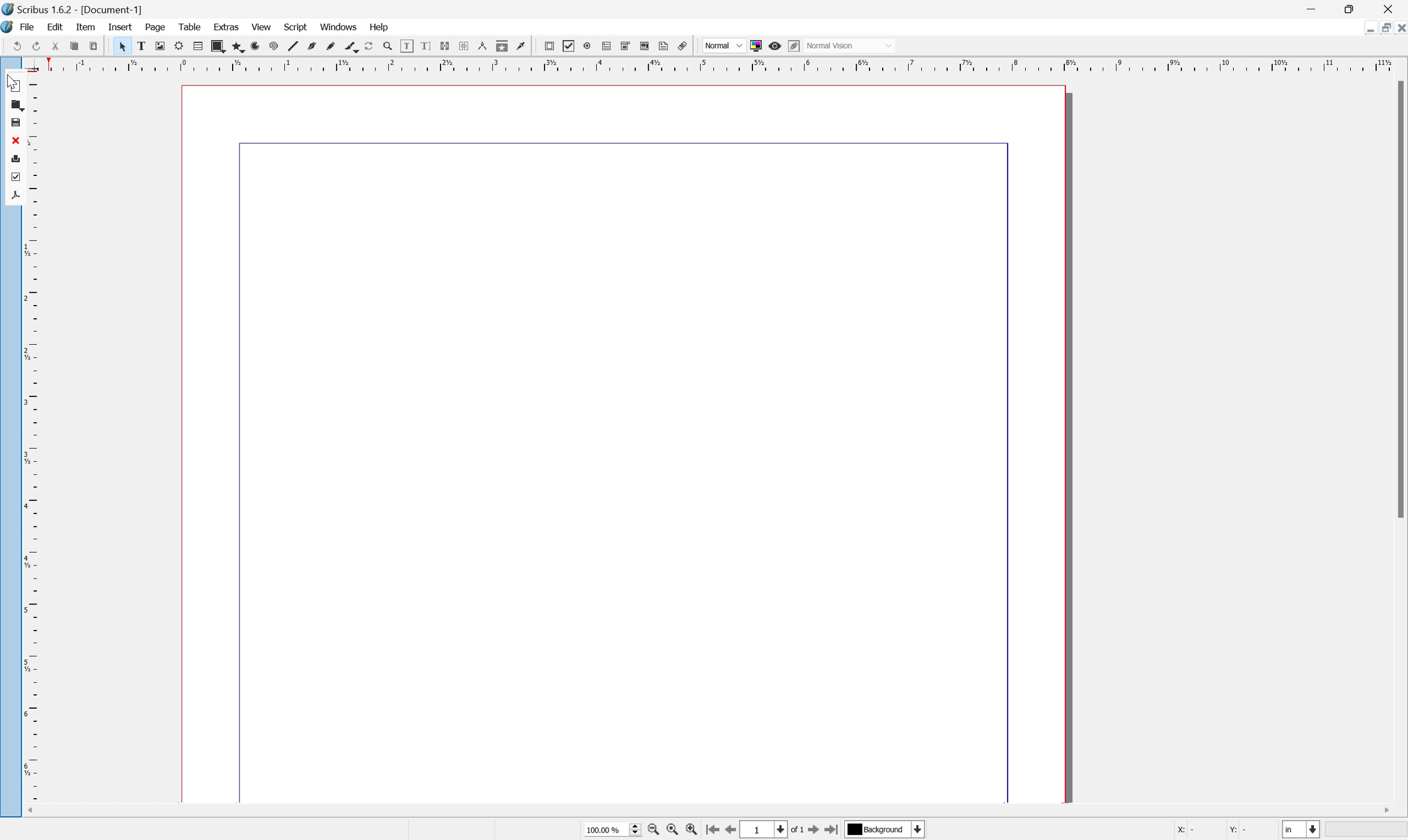 The height and width of the screenshot is (840, 1408). I want to click on preflight verifier, so click(15, 177).